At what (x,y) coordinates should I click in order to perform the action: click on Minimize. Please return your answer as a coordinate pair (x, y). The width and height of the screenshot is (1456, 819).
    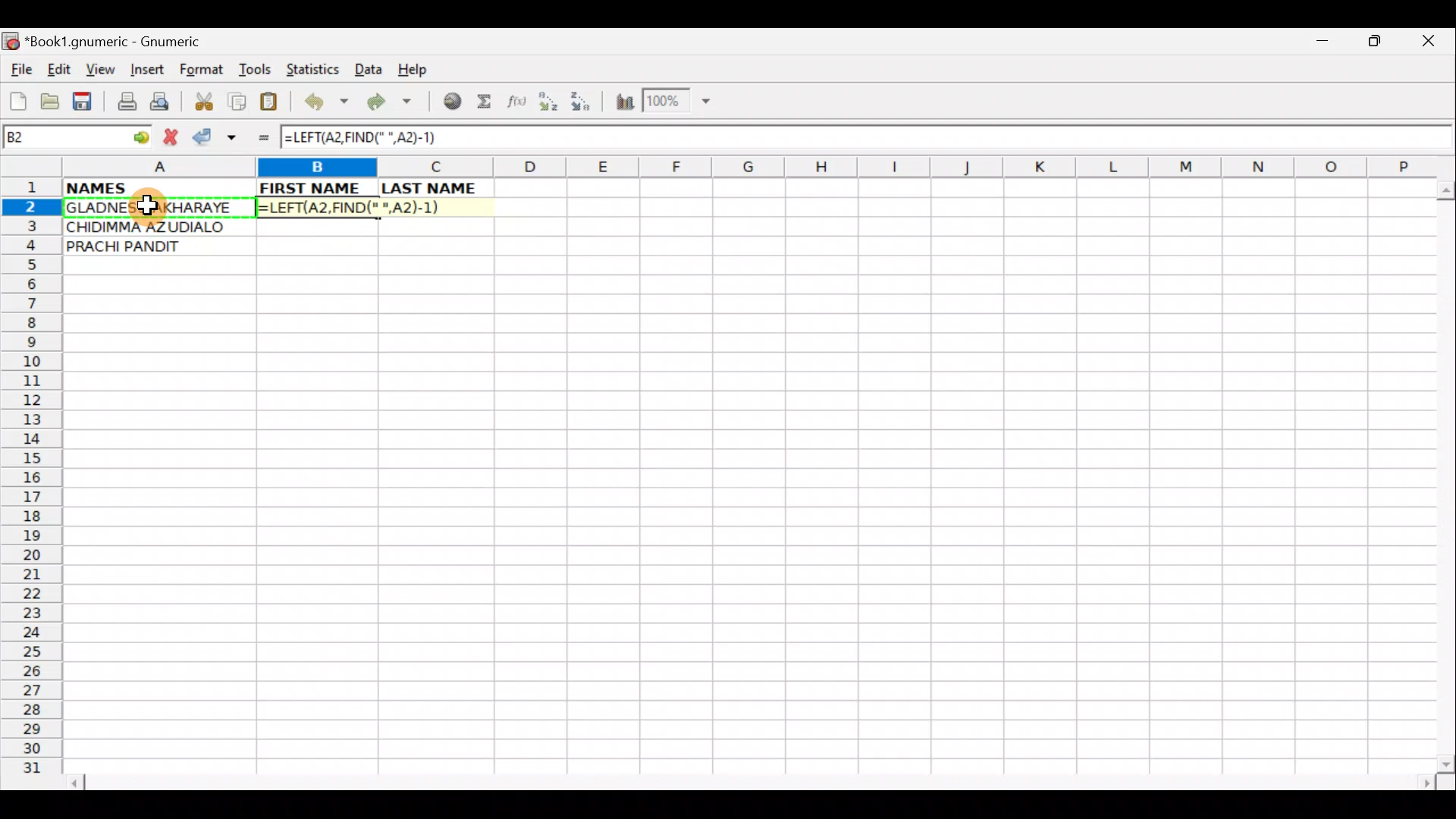
    Looking at the image, I should click on (1319, 45).